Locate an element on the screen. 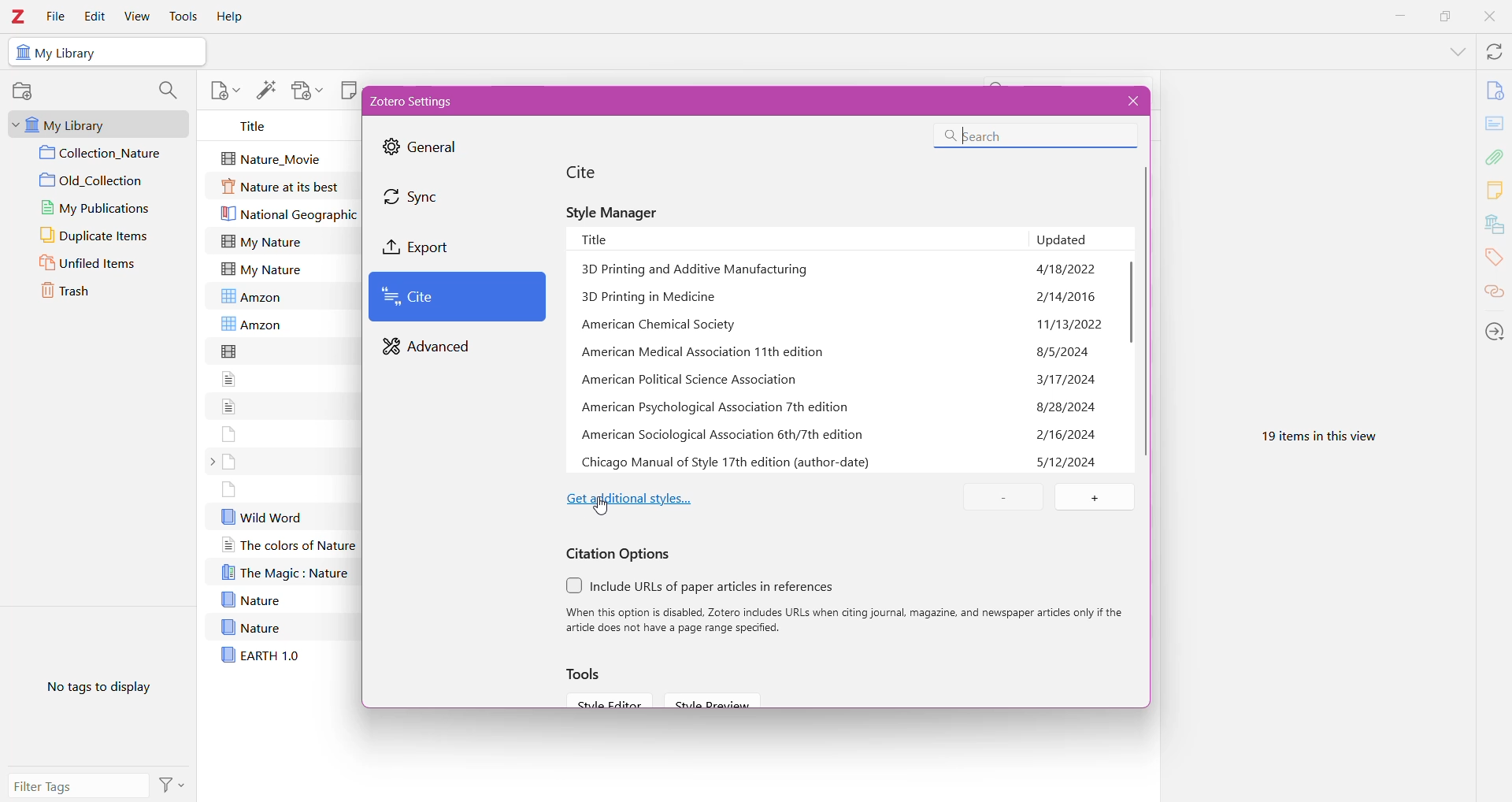  EARTH 1.0 is located at coordinates (260, 654).